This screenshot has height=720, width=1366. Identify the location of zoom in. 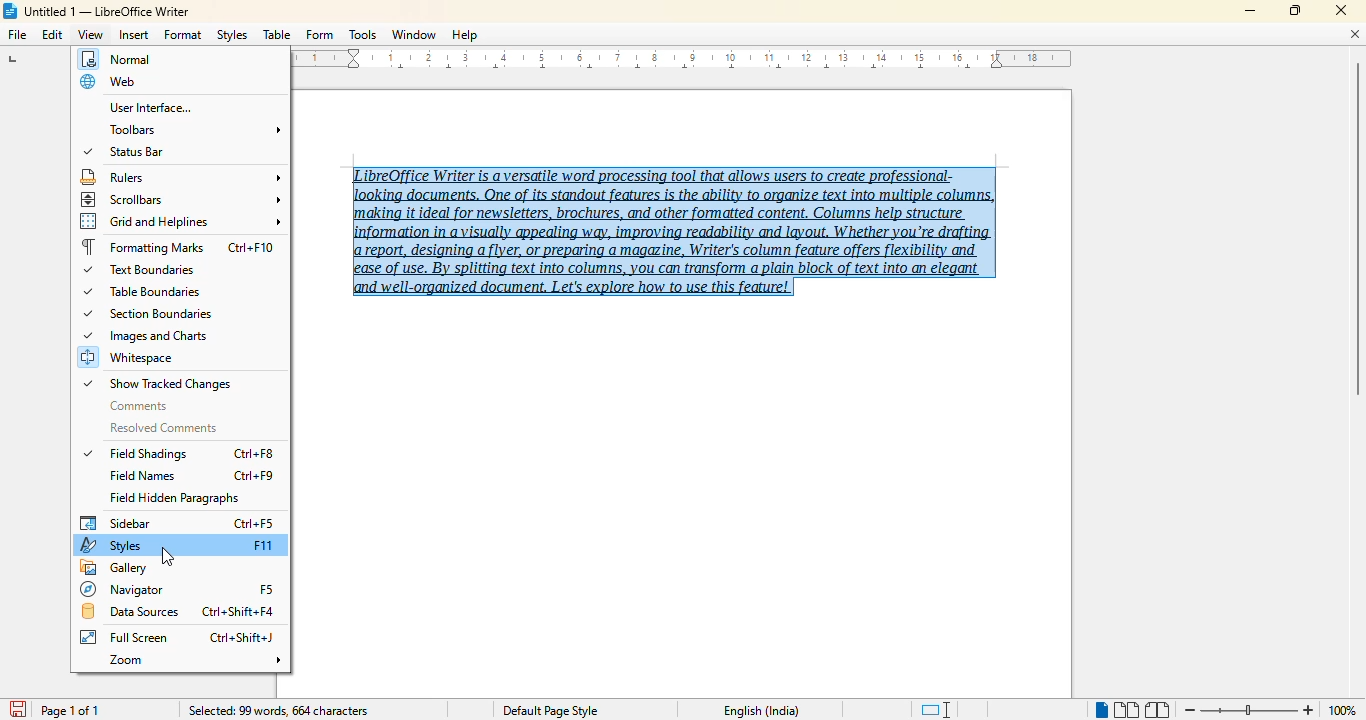
(1307, 710).